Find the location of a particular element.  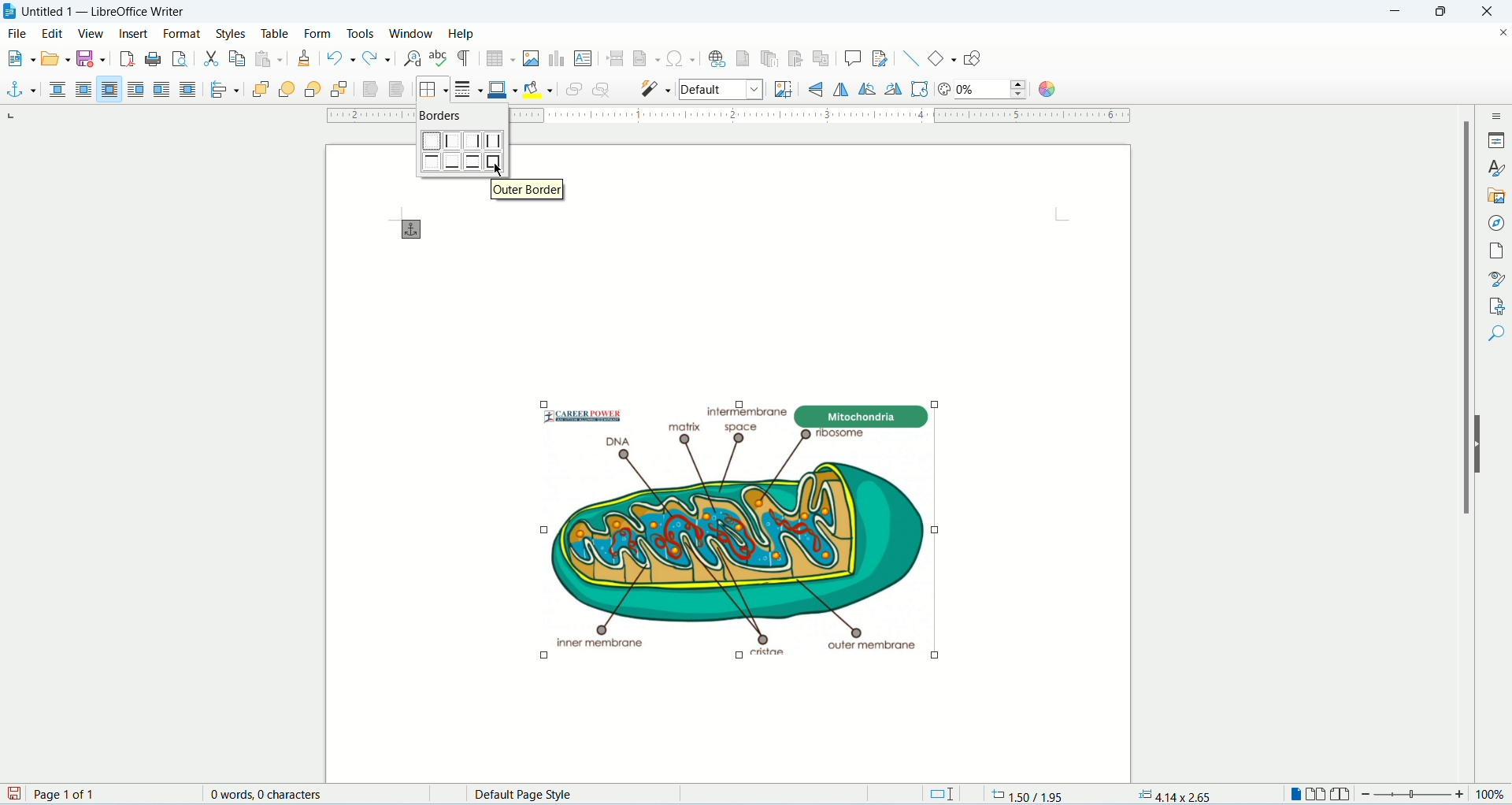

link frames is located at coordinates (570, 91).